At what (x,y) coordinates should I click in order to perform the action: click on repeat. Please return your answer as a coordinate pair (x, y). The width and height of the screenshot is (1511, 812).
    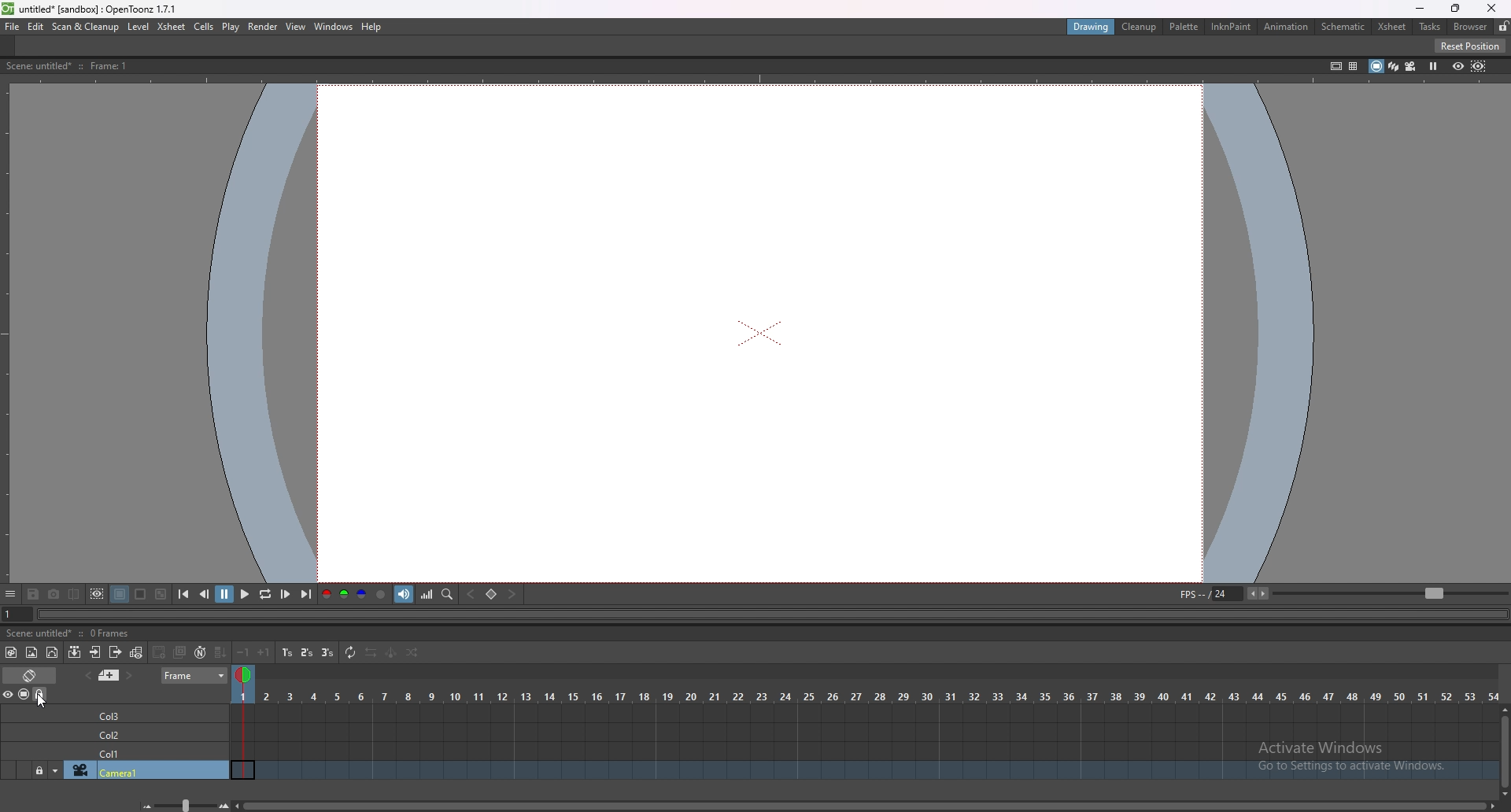
    Looking at the image, I should click on (349, 653).